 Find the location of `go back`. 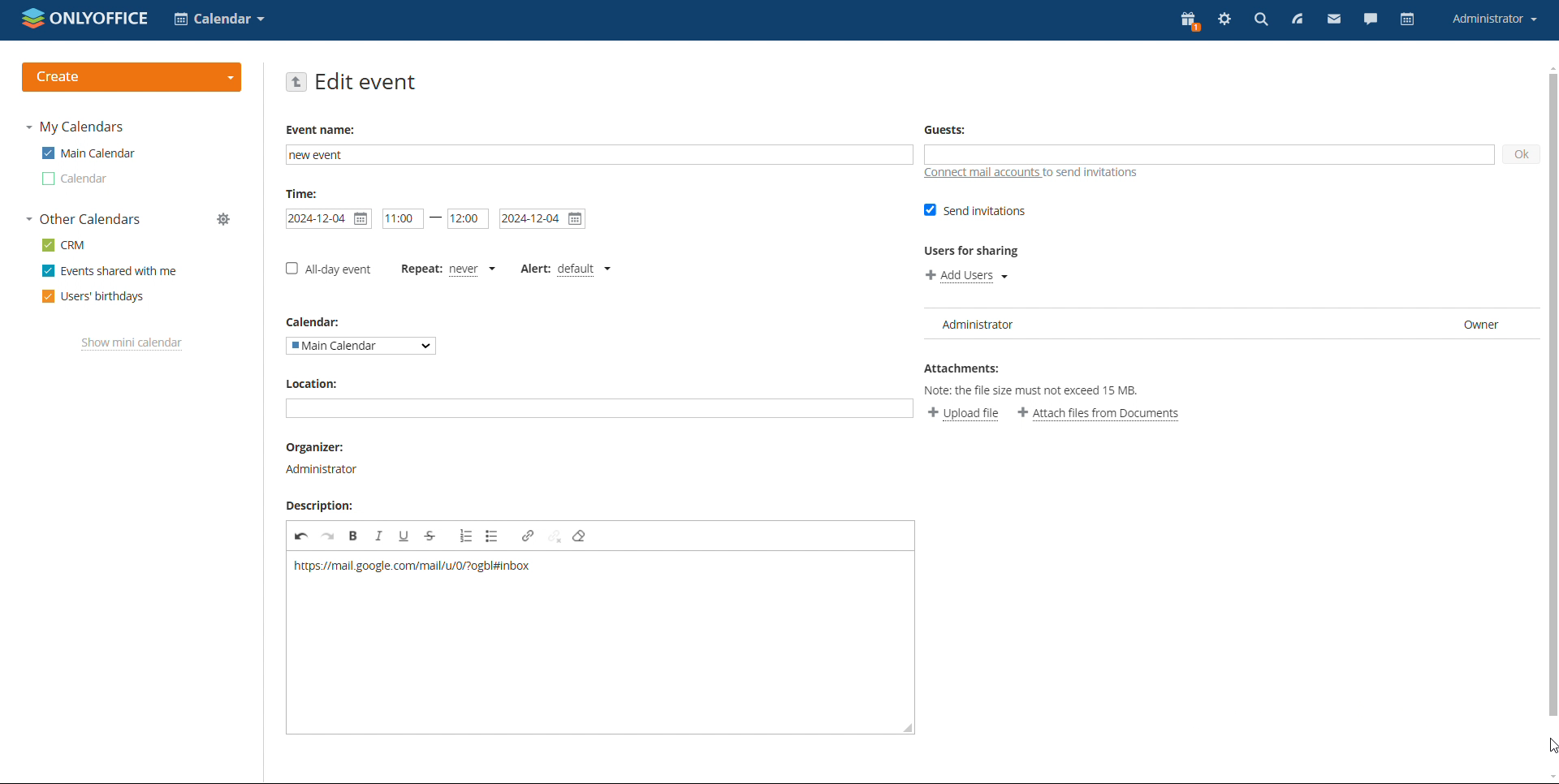

go back is located at coordinates (297, 82).